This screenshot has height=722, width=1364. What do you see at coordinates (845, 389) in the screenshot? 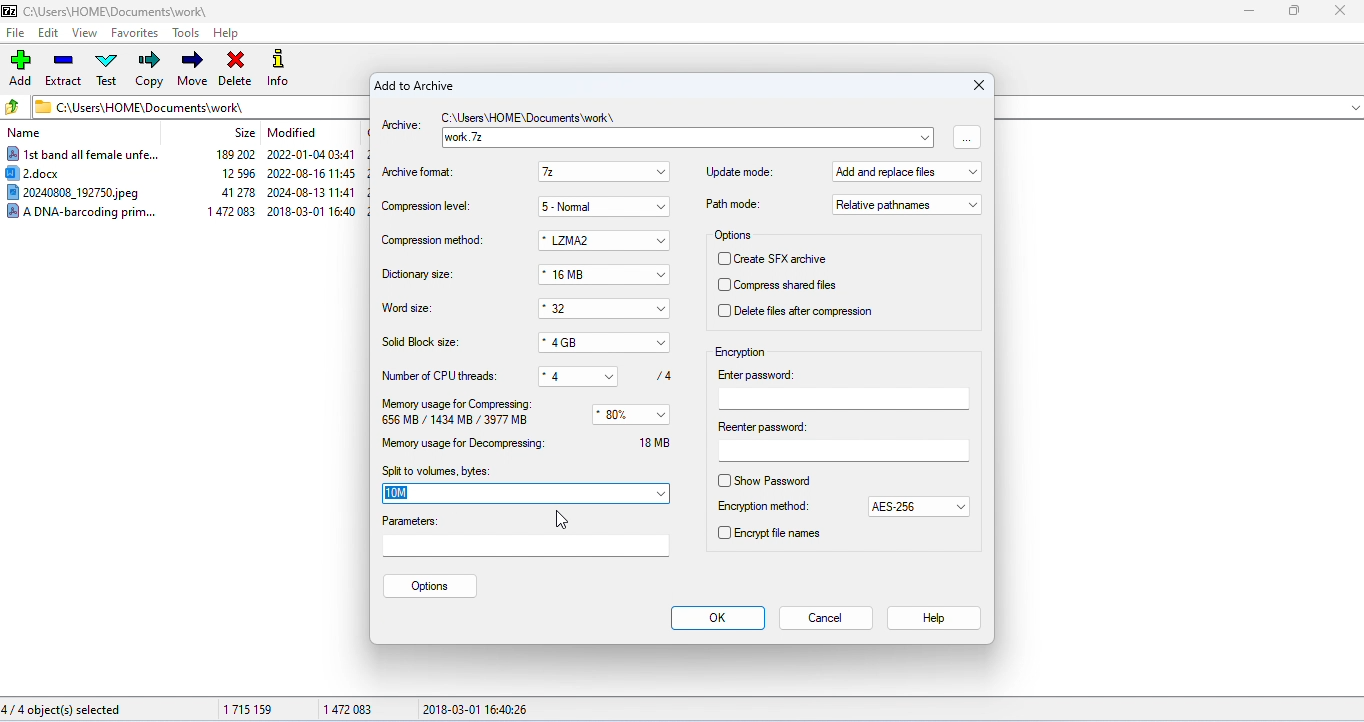
I see `enter password` at bounding box center [845, 389].